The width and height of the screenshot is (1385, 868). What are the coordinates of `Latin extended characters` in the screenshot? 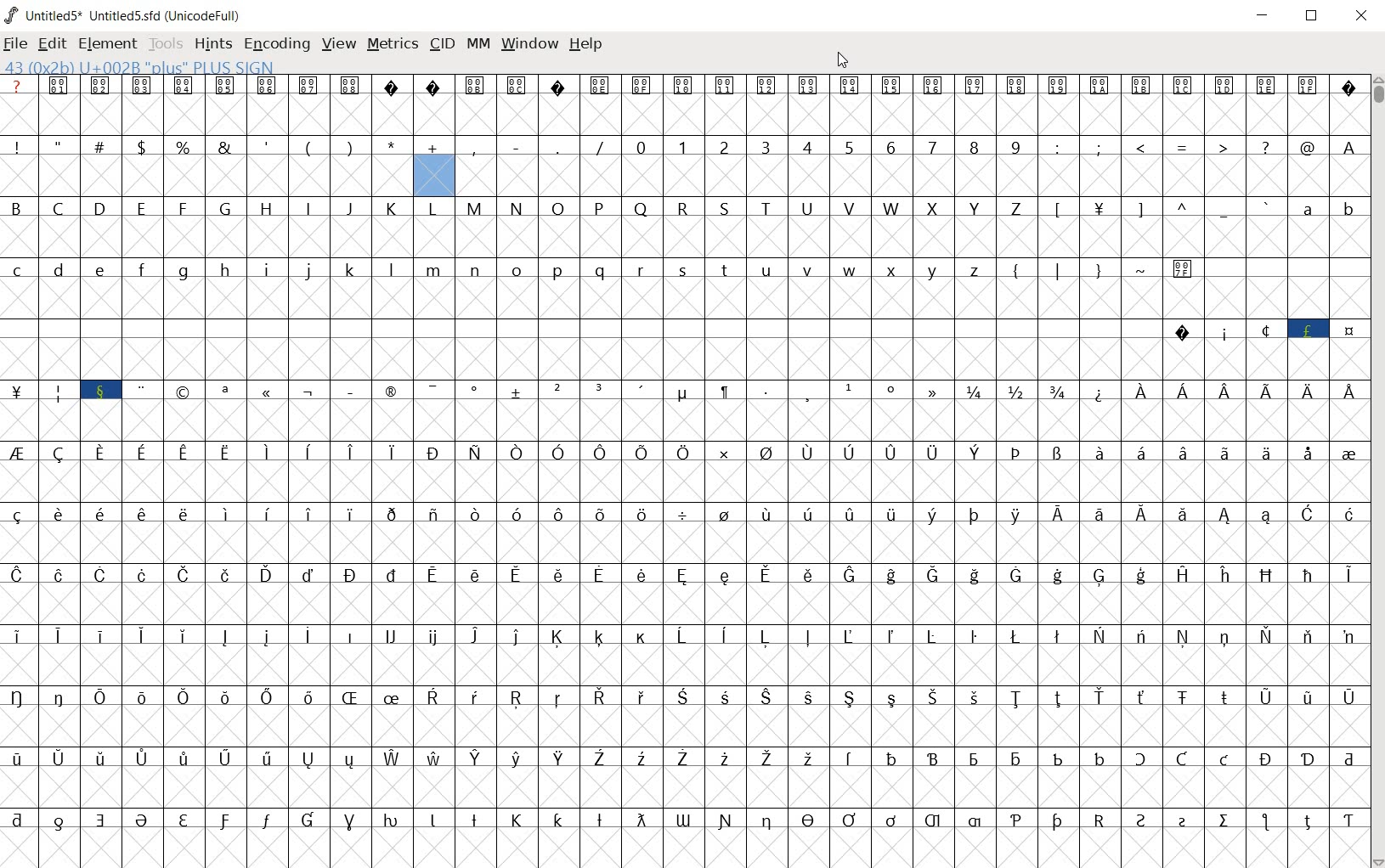 It's located at (352, 532).